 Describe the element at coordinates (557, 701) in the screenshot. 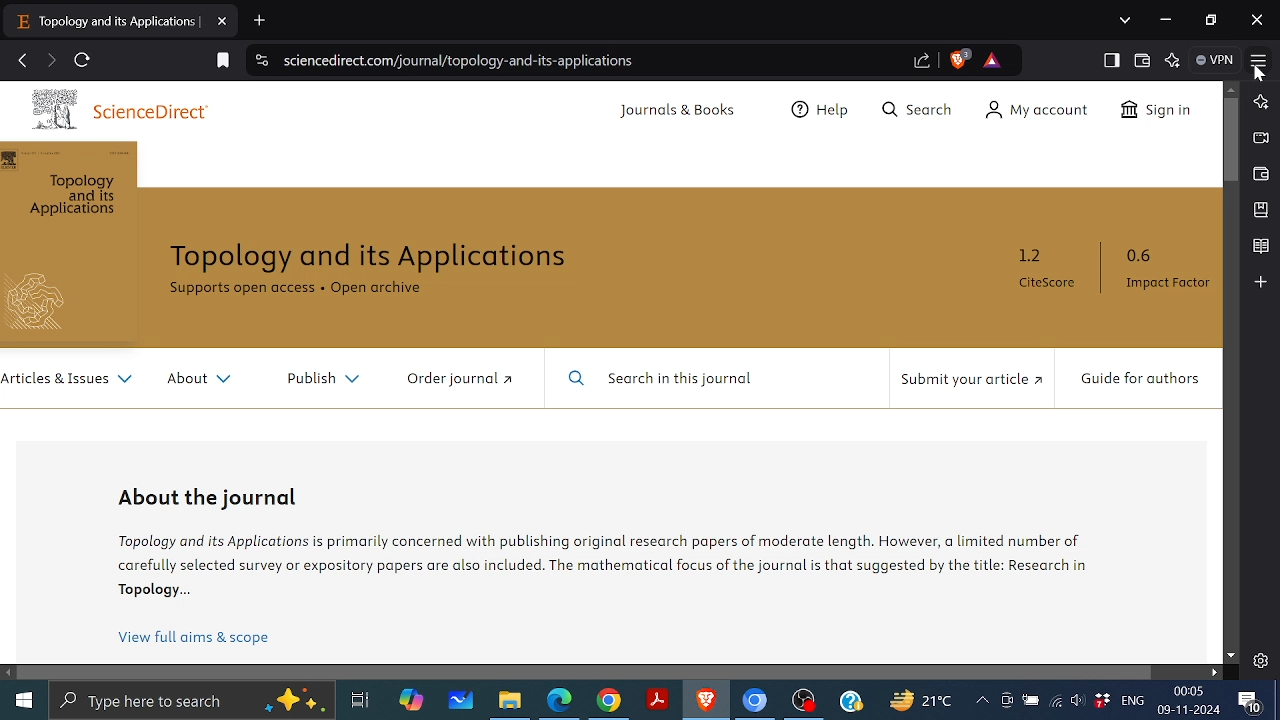

I see `Microsoft edge` at that location.